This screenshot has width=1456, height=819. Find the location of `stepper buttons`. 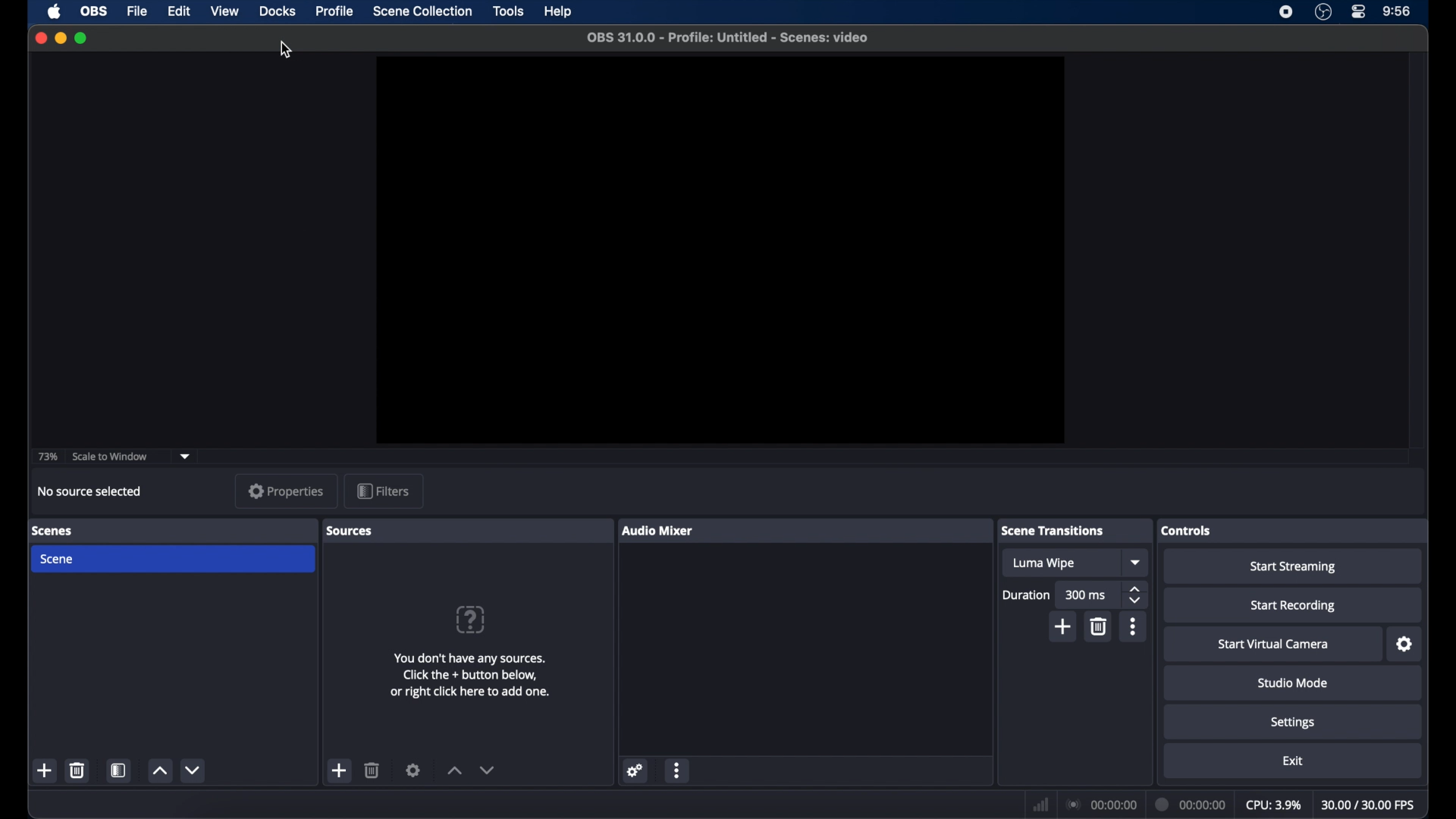

stepper buttons is located at coordinates (1134, 595).